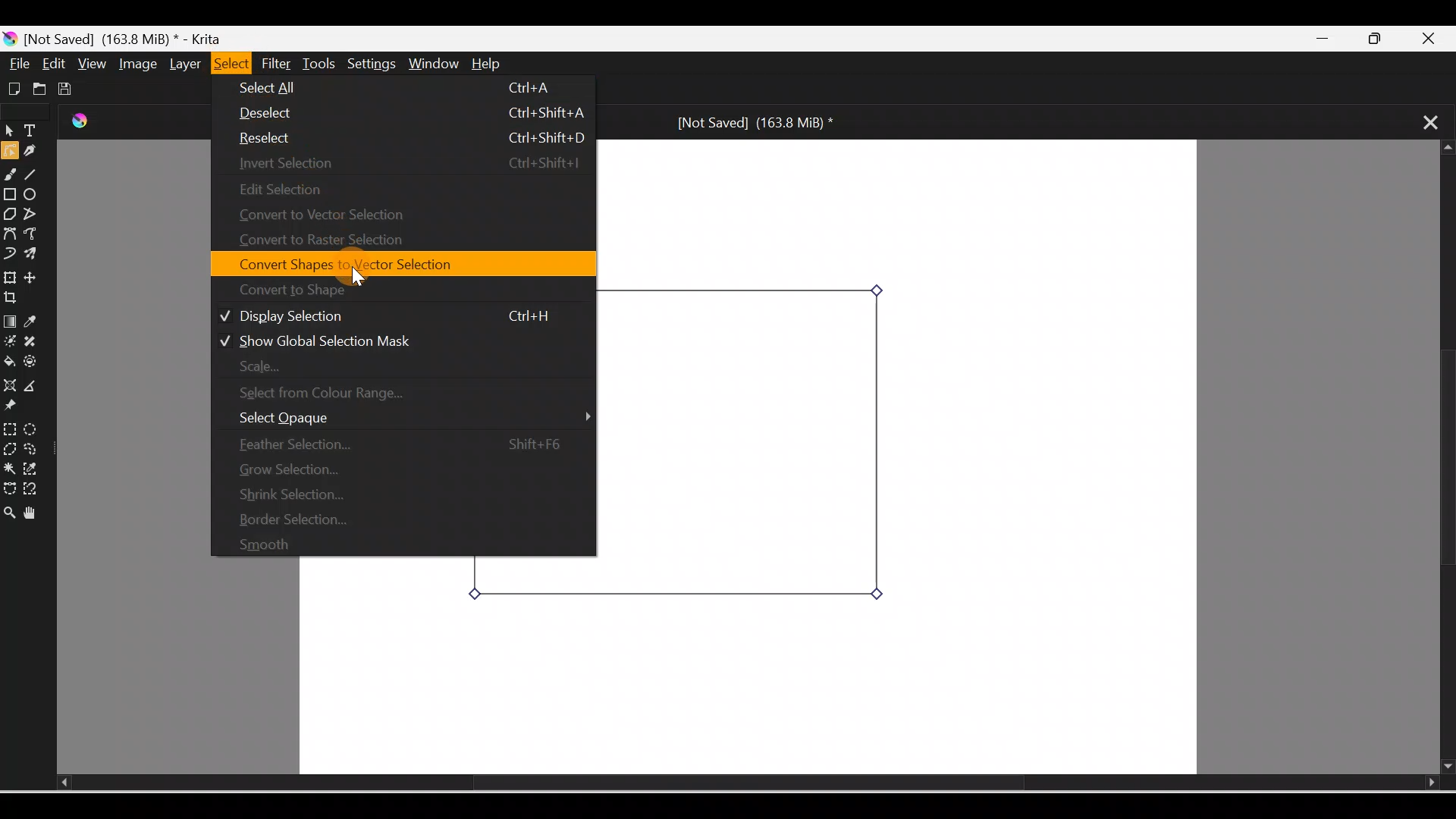  Describe the element at coordinates (36, 387) in the screenshot. I see `Measure the distance between two points` at that location.